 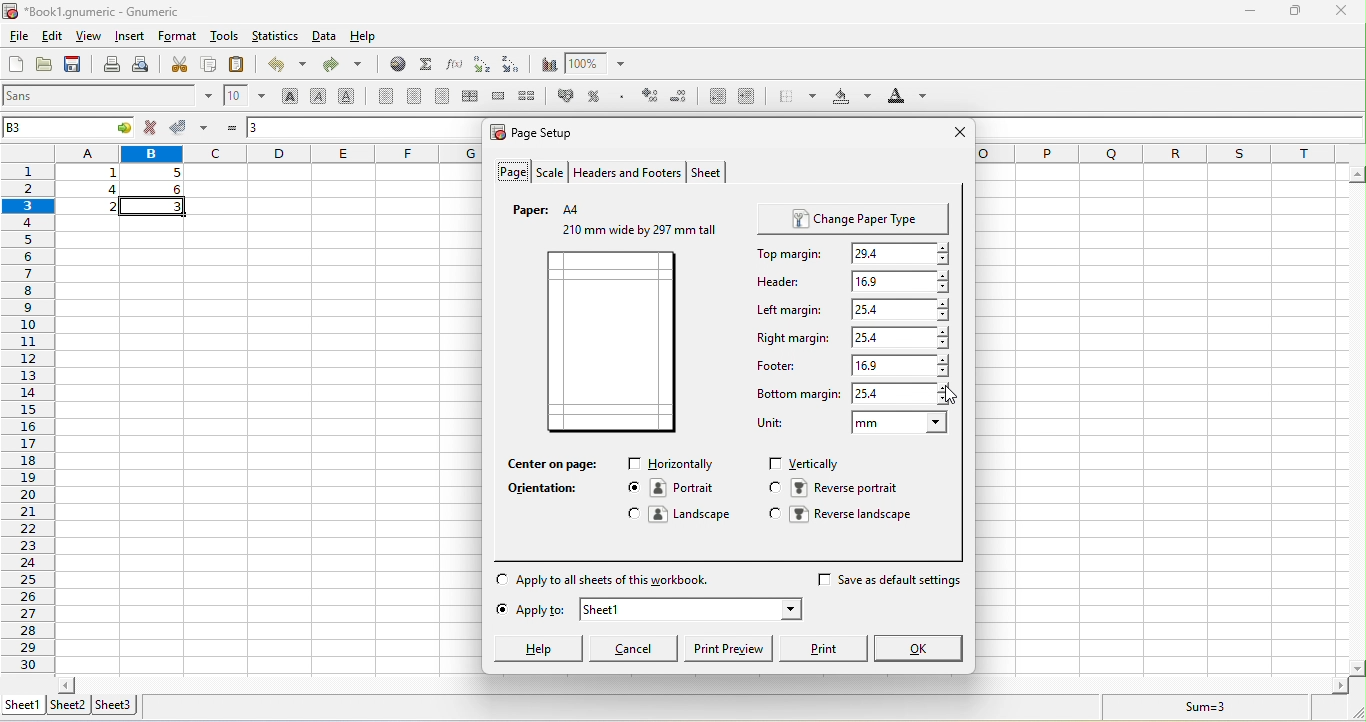 What do you see at coordinates (513, 172) in the screenshot?
I see `page` at bounding box center [513, 172].